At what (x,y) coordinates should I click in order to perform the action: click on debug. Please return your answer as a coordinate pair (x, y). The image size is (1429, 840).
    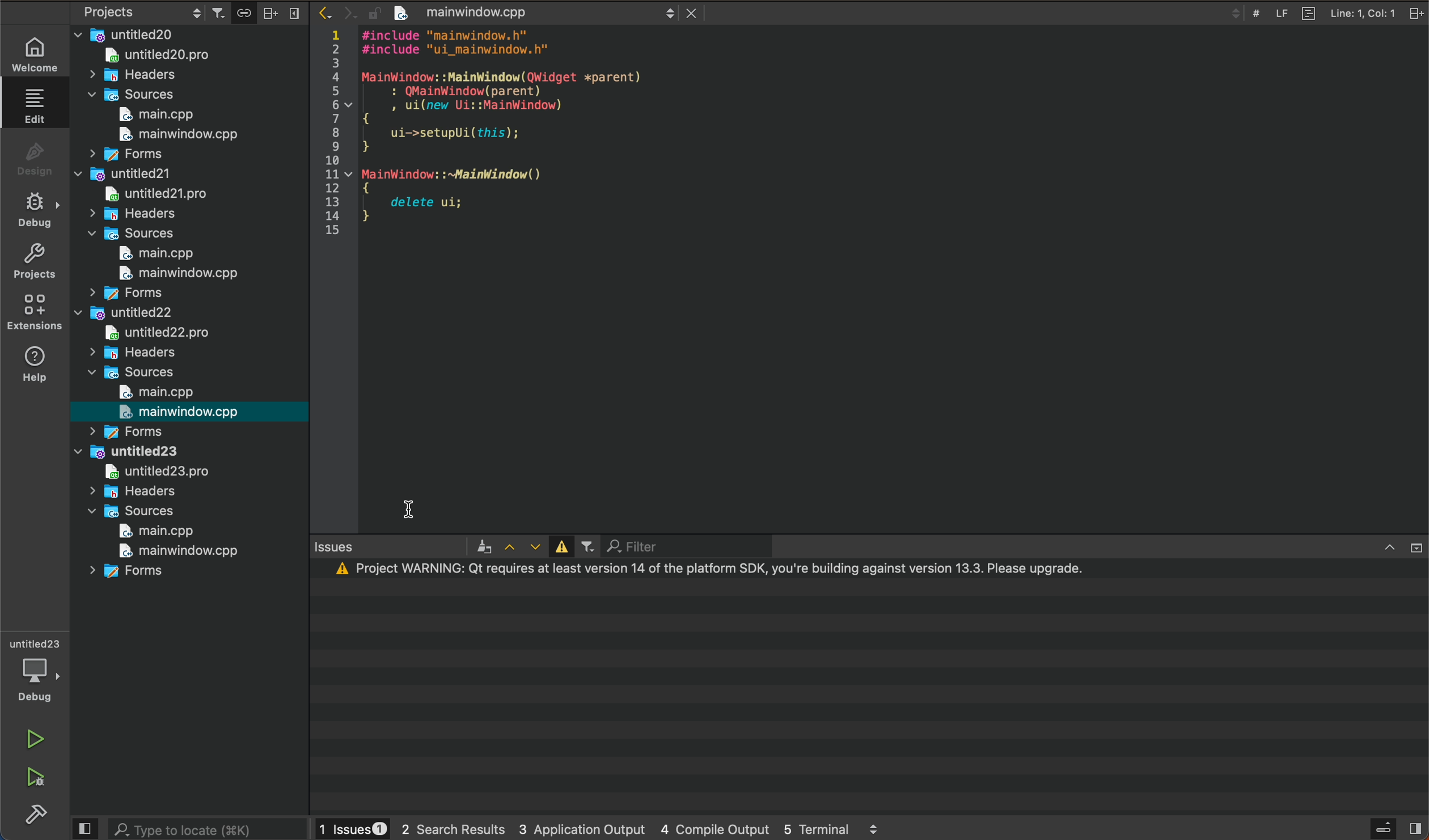
    Looking at the image, I should click on (35, 213).